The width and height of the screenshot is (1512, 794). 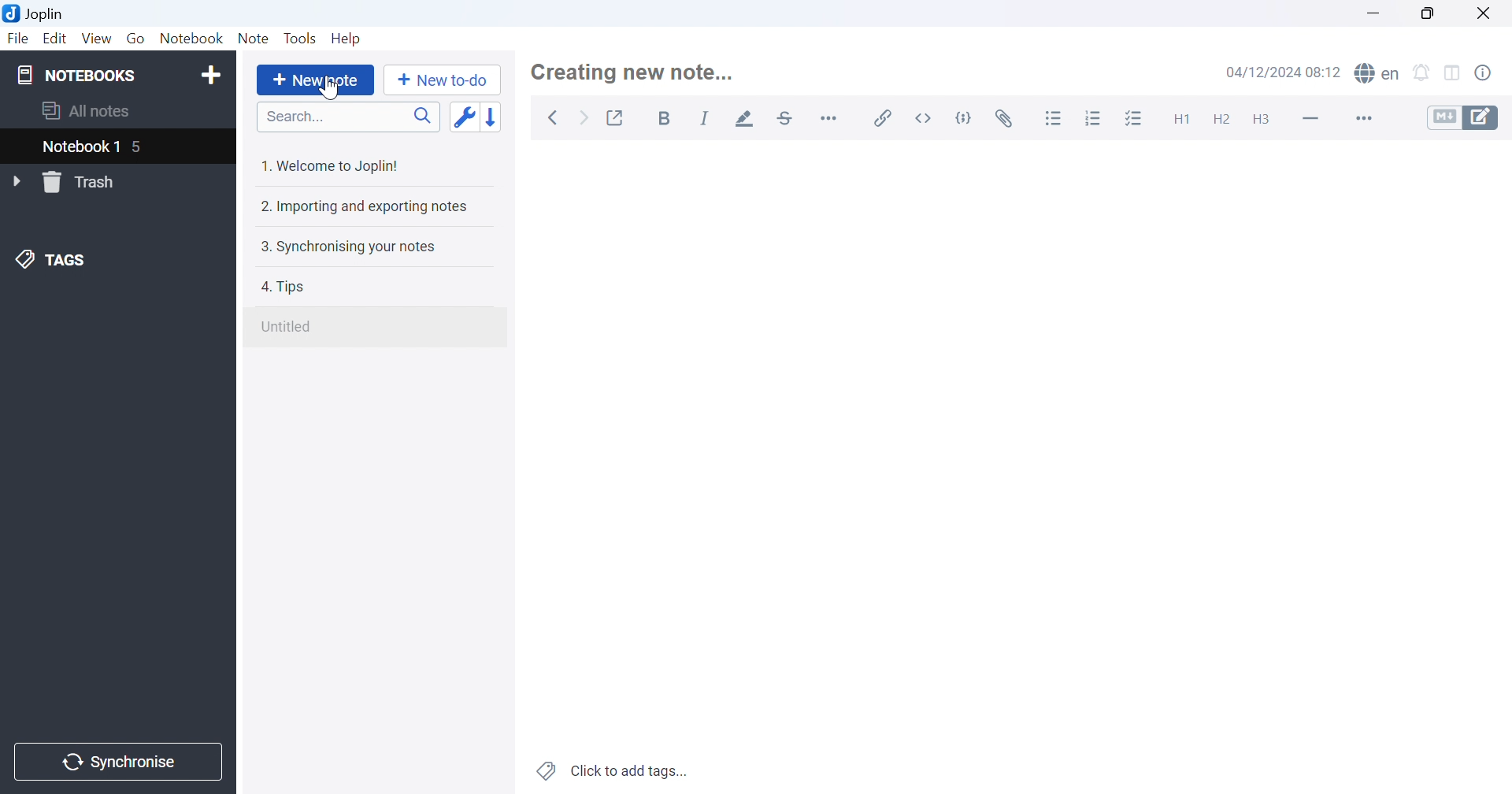 What do you see at coordinates (706, 118) in the screenshot?
I see `Italic` at bounding box center [706, 118].